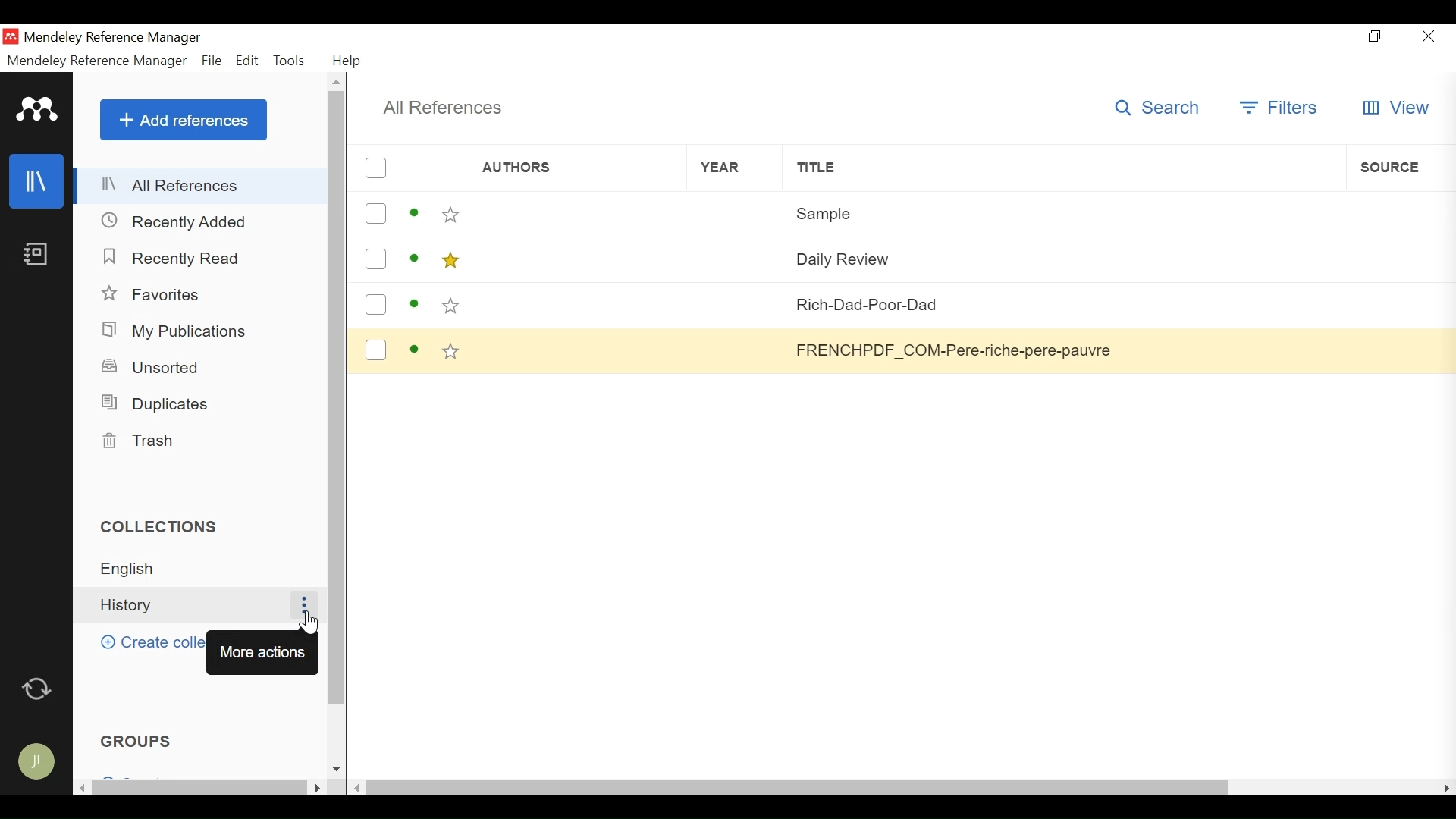 Image resolution: width=1456 pixels, height=819 pixels. I want to click on More Options, so click(303, 605).